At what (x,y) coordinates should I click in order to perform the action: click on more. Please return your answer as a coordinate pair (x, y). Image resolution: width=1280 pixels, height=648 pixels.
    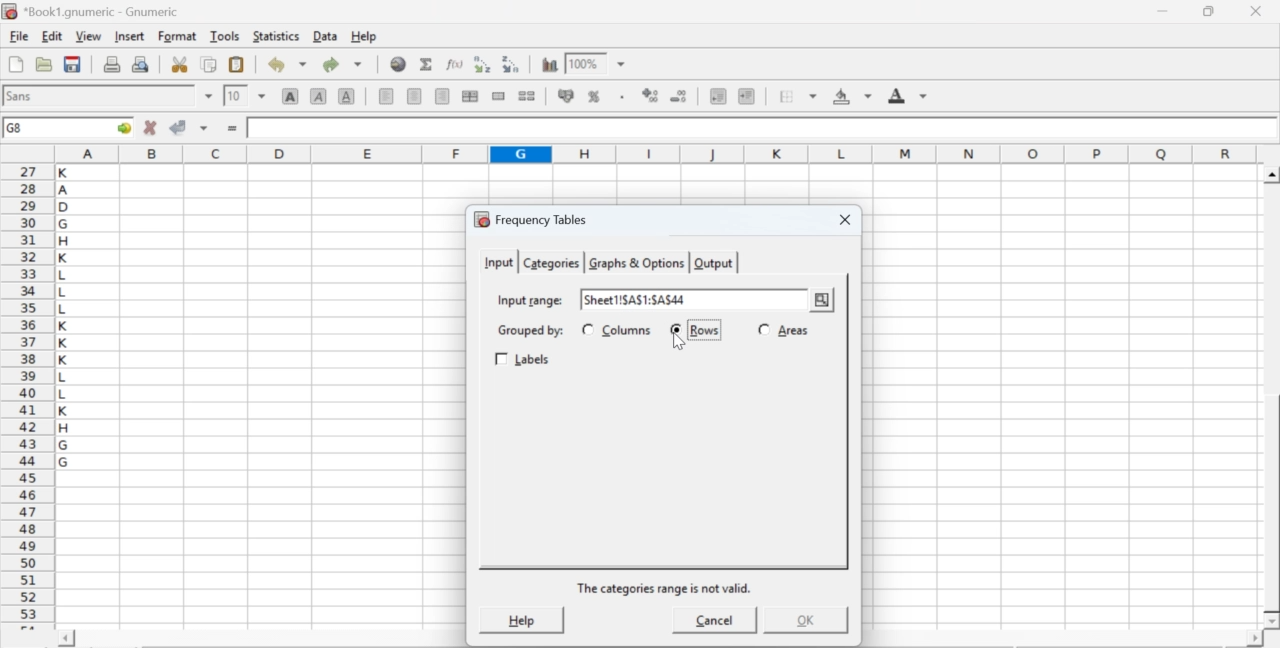
    Looking at the image, I should click on (822, 301).